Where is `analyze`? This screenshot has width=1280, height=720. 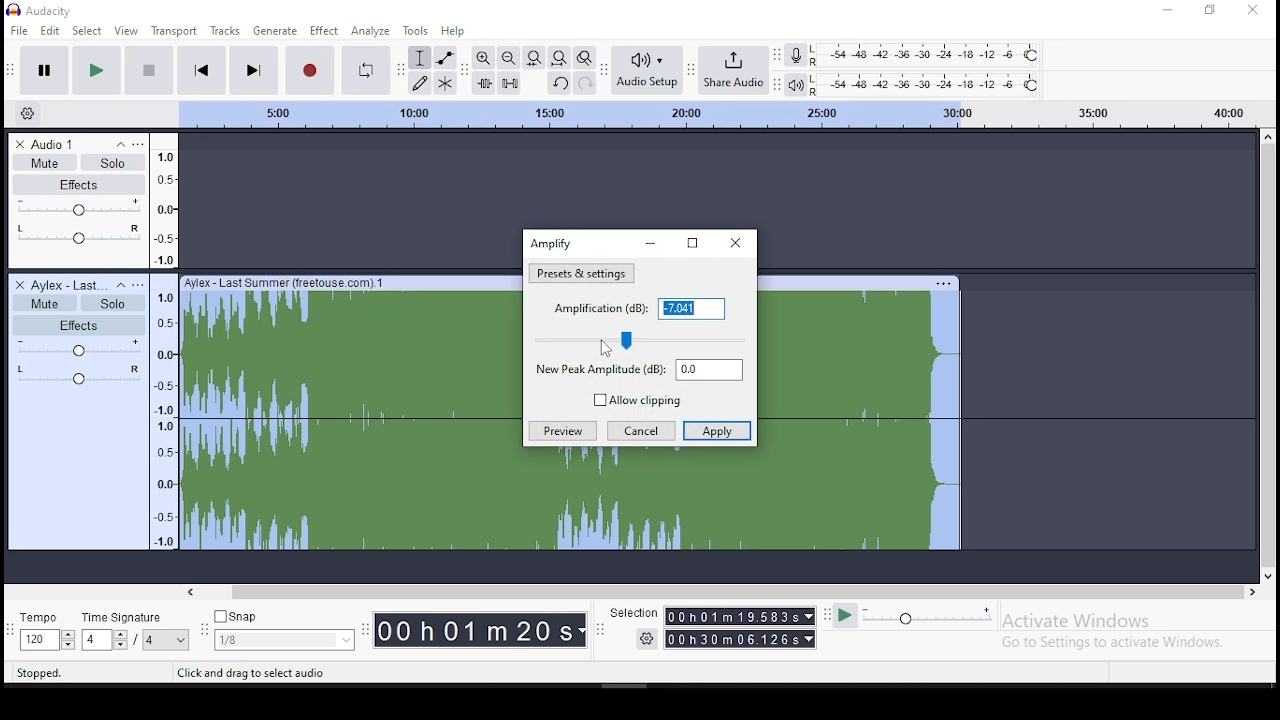
analyze is located at coordinates (370, 31).